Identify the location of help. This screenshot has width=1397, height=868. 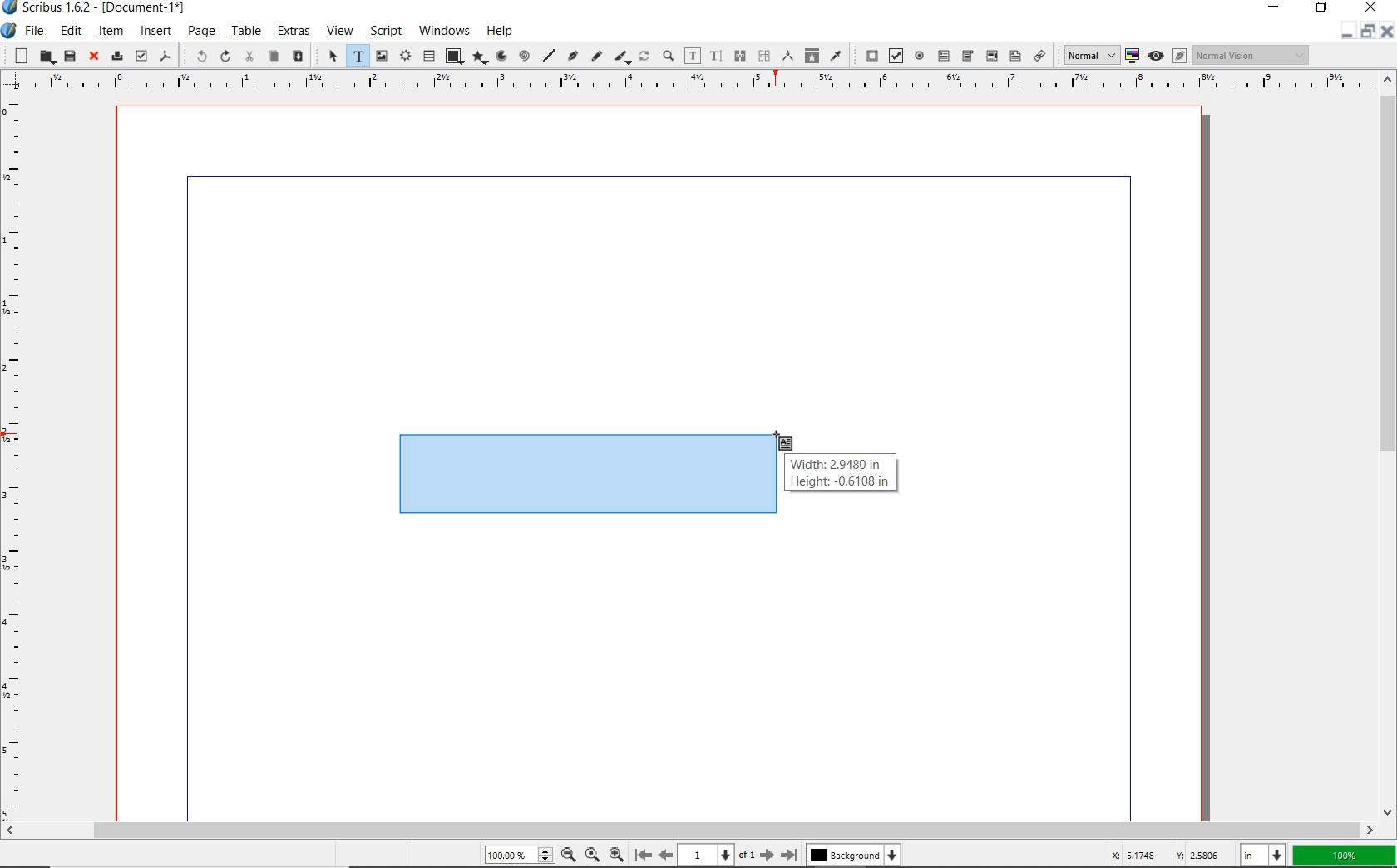
(503, 31).